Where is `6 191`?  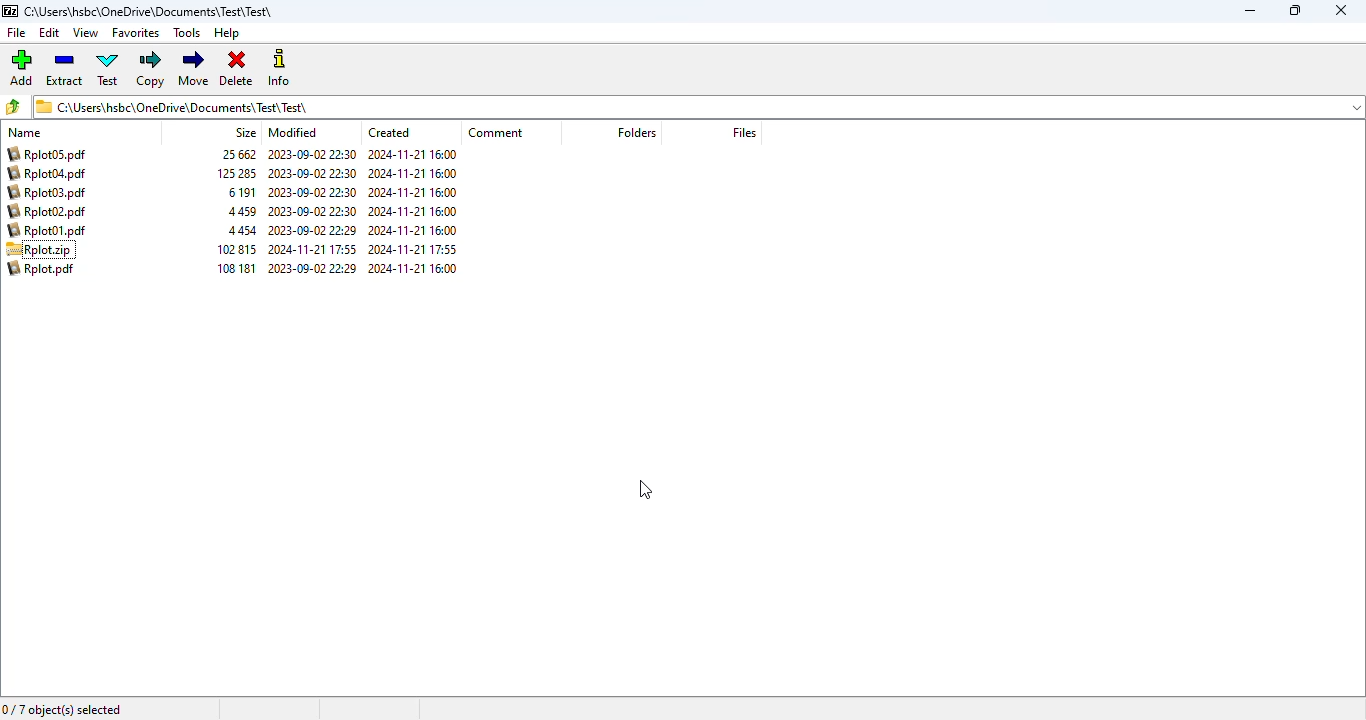
6 191 is located at coordinates (242, 193).